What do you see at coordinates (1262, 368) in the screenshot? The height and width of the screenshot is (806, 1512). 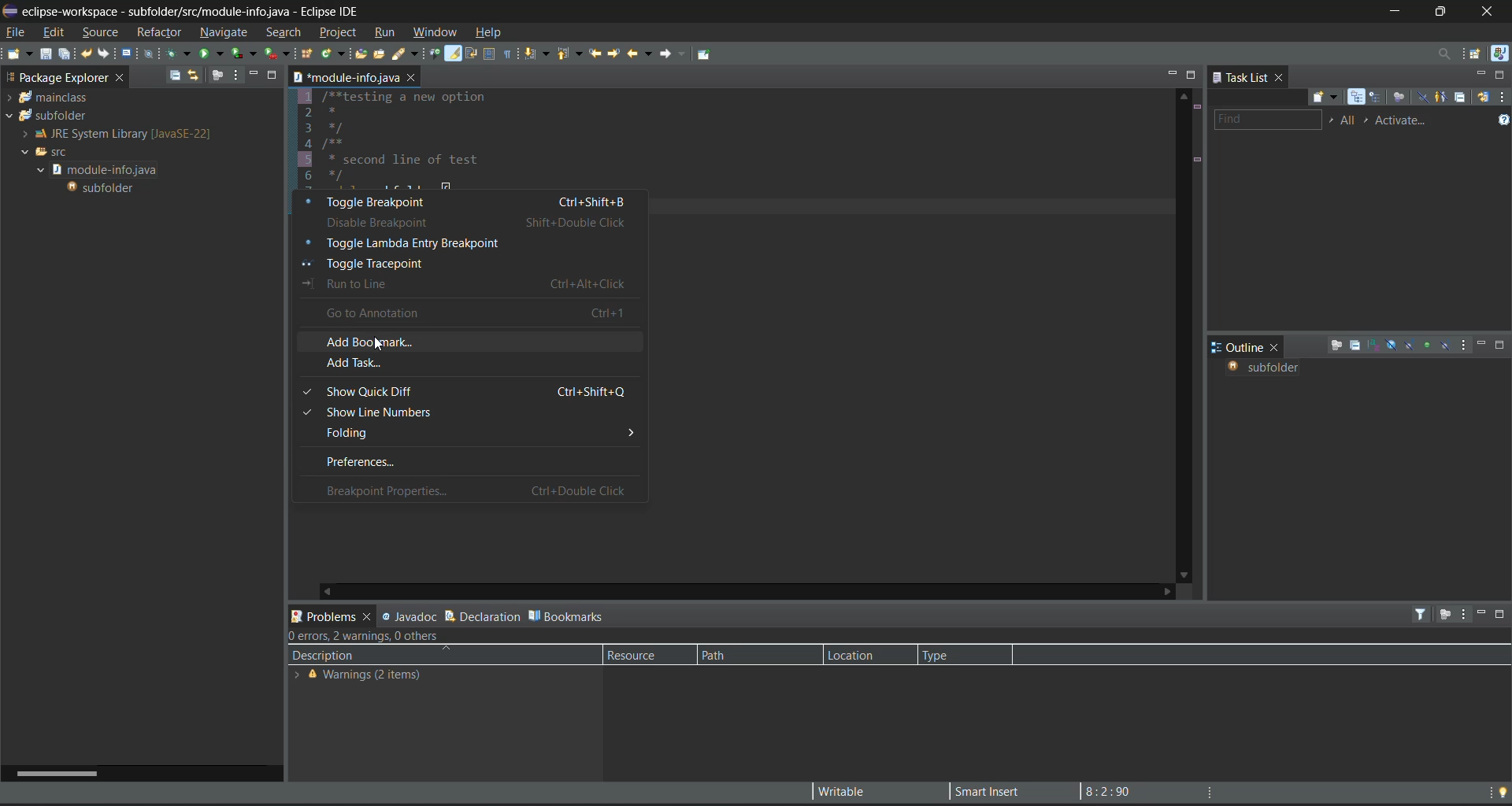 I see `subfolder` at bounding box center [1262, 368].